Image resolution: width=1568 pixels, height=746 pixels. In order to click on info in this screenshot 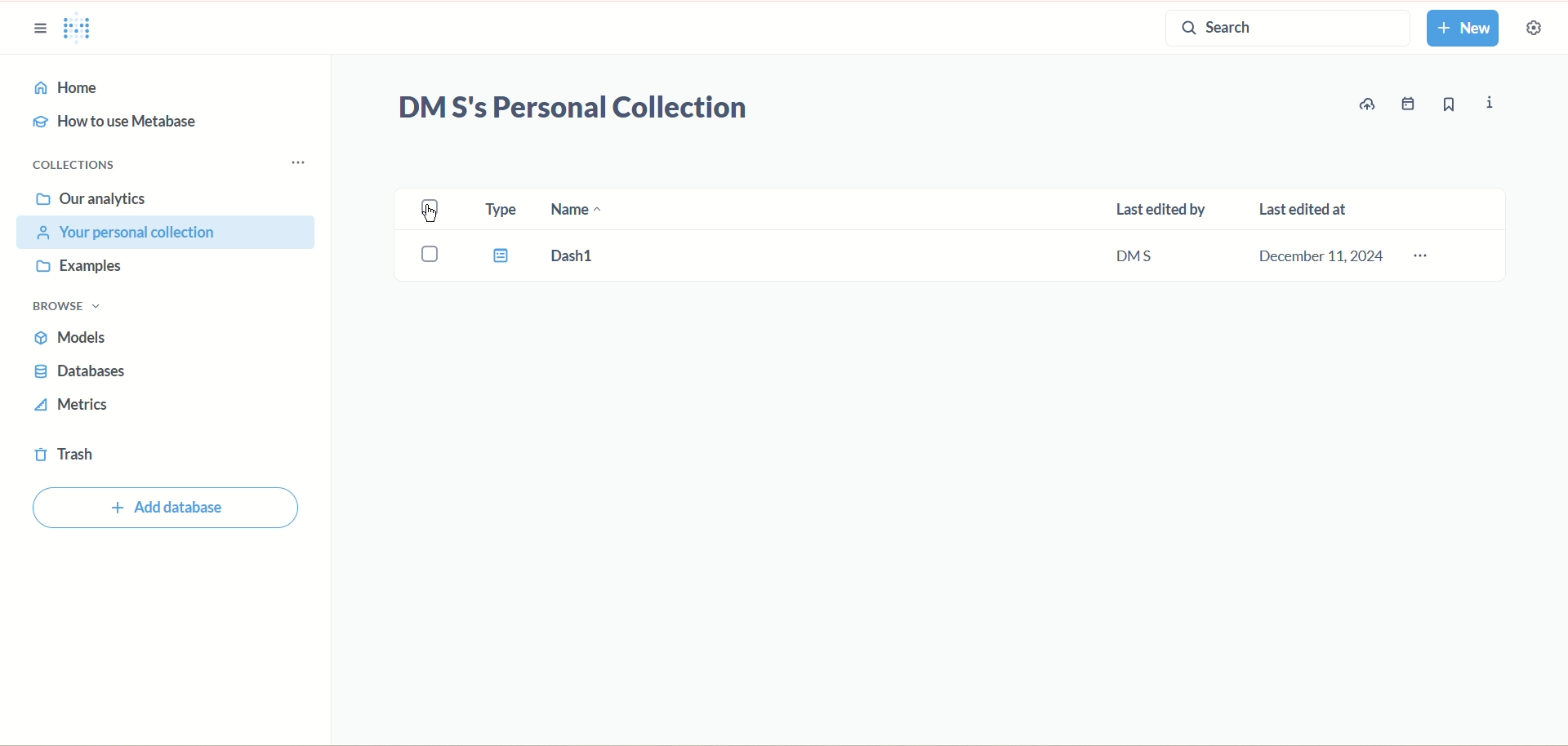, I will do `click(1498, 104)`.